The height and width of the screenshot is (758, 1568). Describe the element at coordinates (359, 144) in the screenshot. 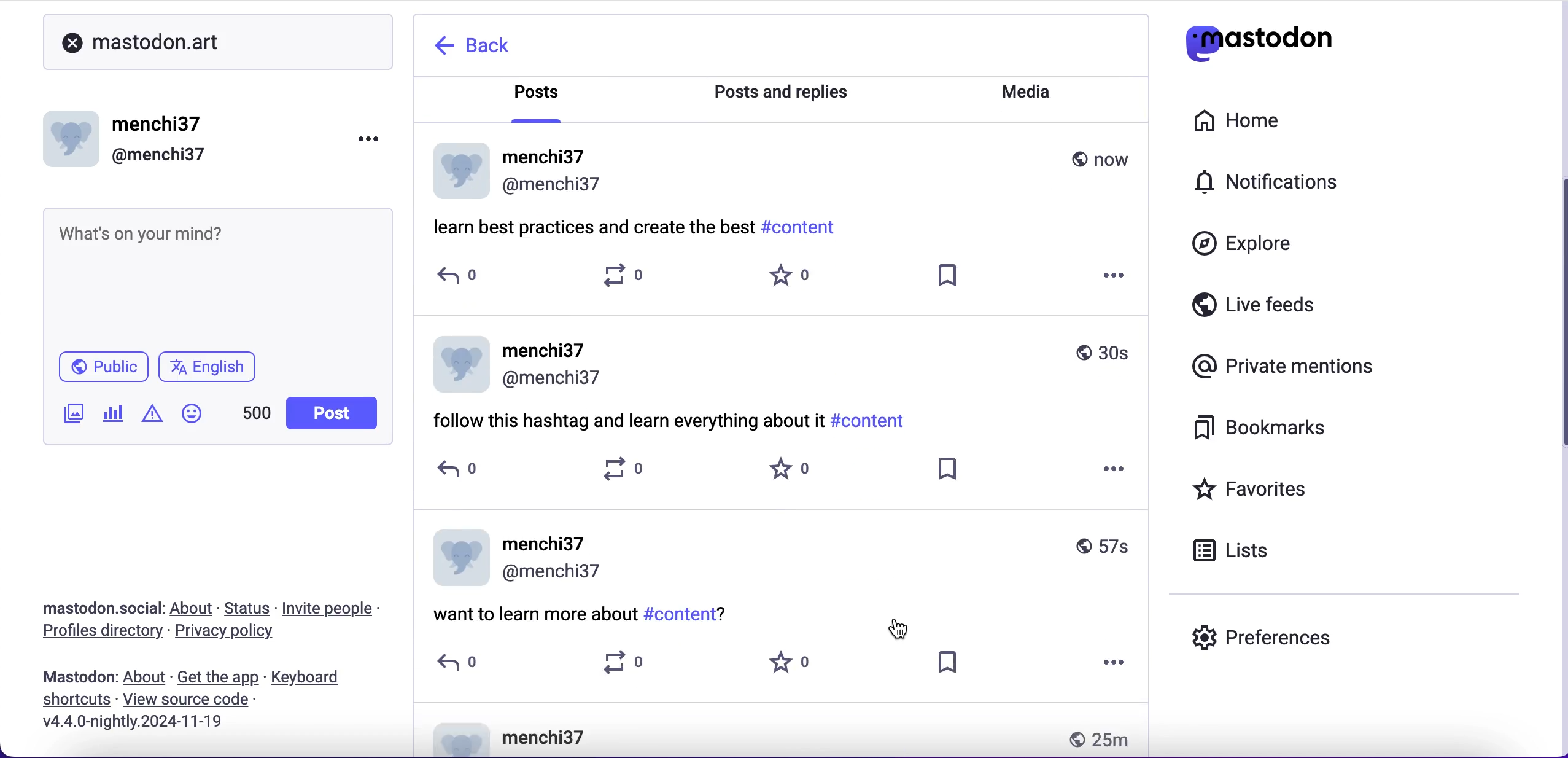

I see `options` at that location.